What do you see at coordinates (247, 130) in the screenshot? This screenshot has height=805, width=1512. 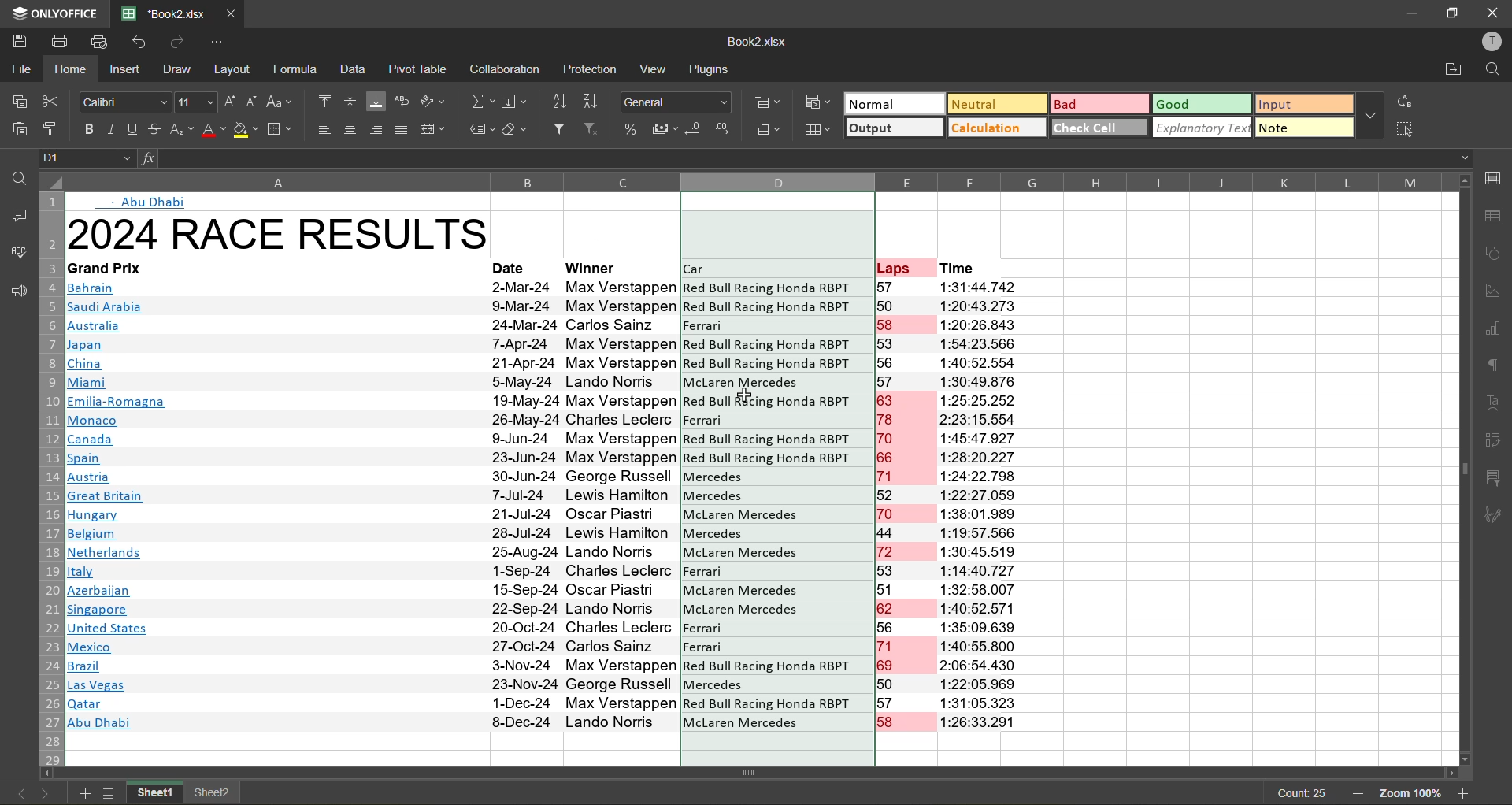 I see `fill color` at bounding box center [247, 130].